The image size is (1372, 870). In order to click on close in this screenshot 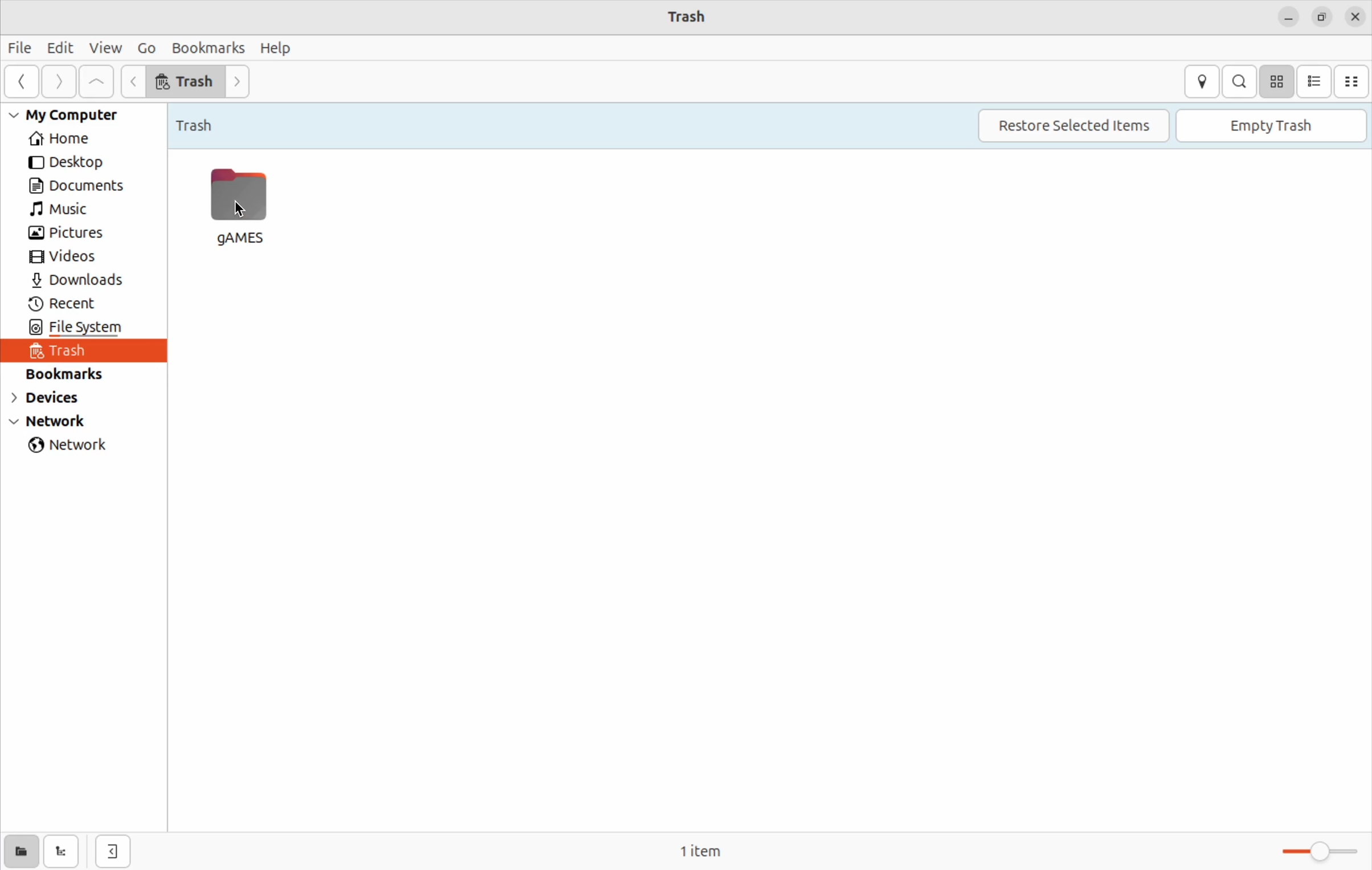, I will do `click(1355, 18)`.